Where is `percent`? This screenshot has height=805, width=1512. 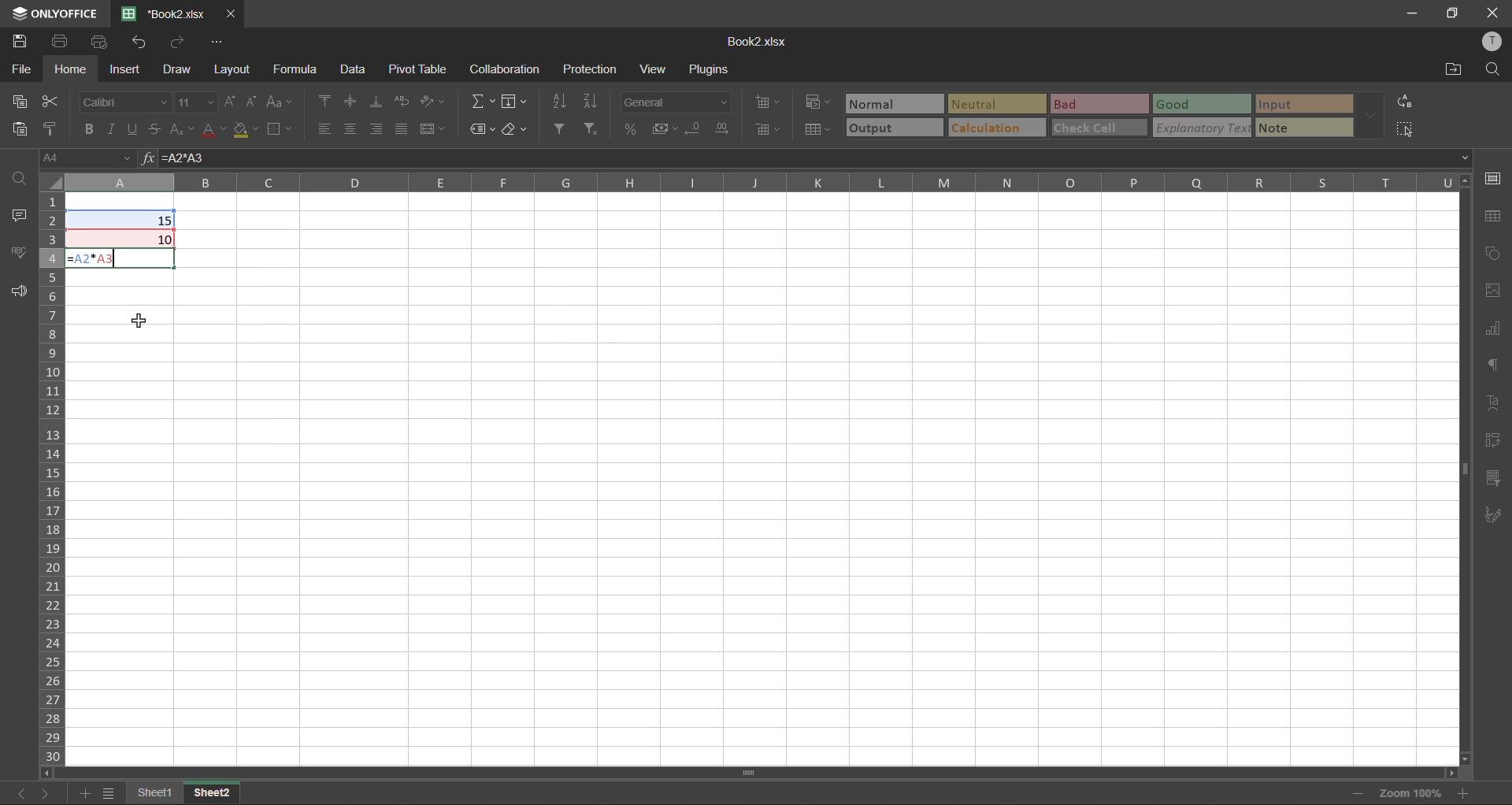
percent is located at coordinates (636, 128).